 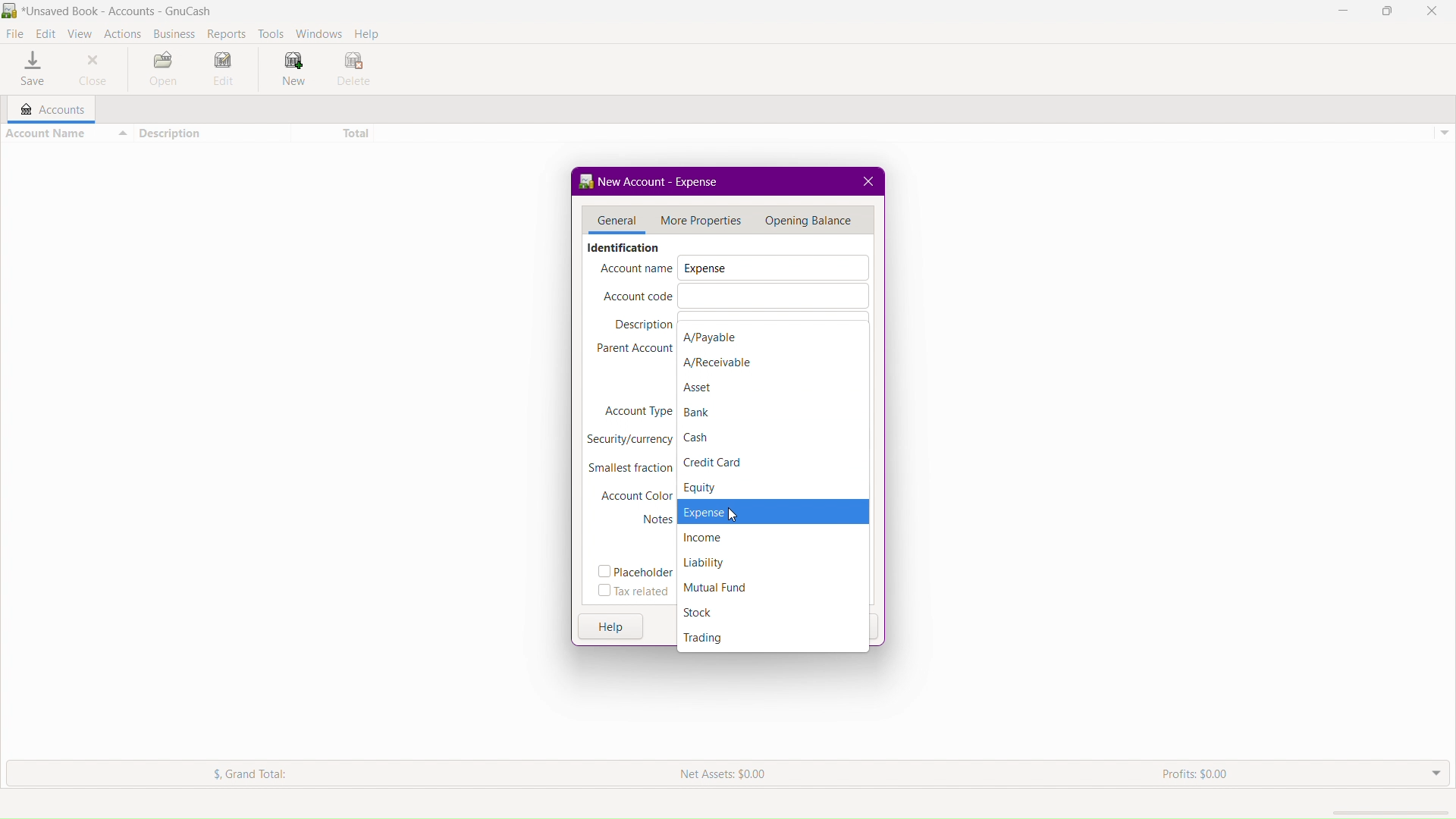 I want to click on Equity, so click(x=699, y=488).